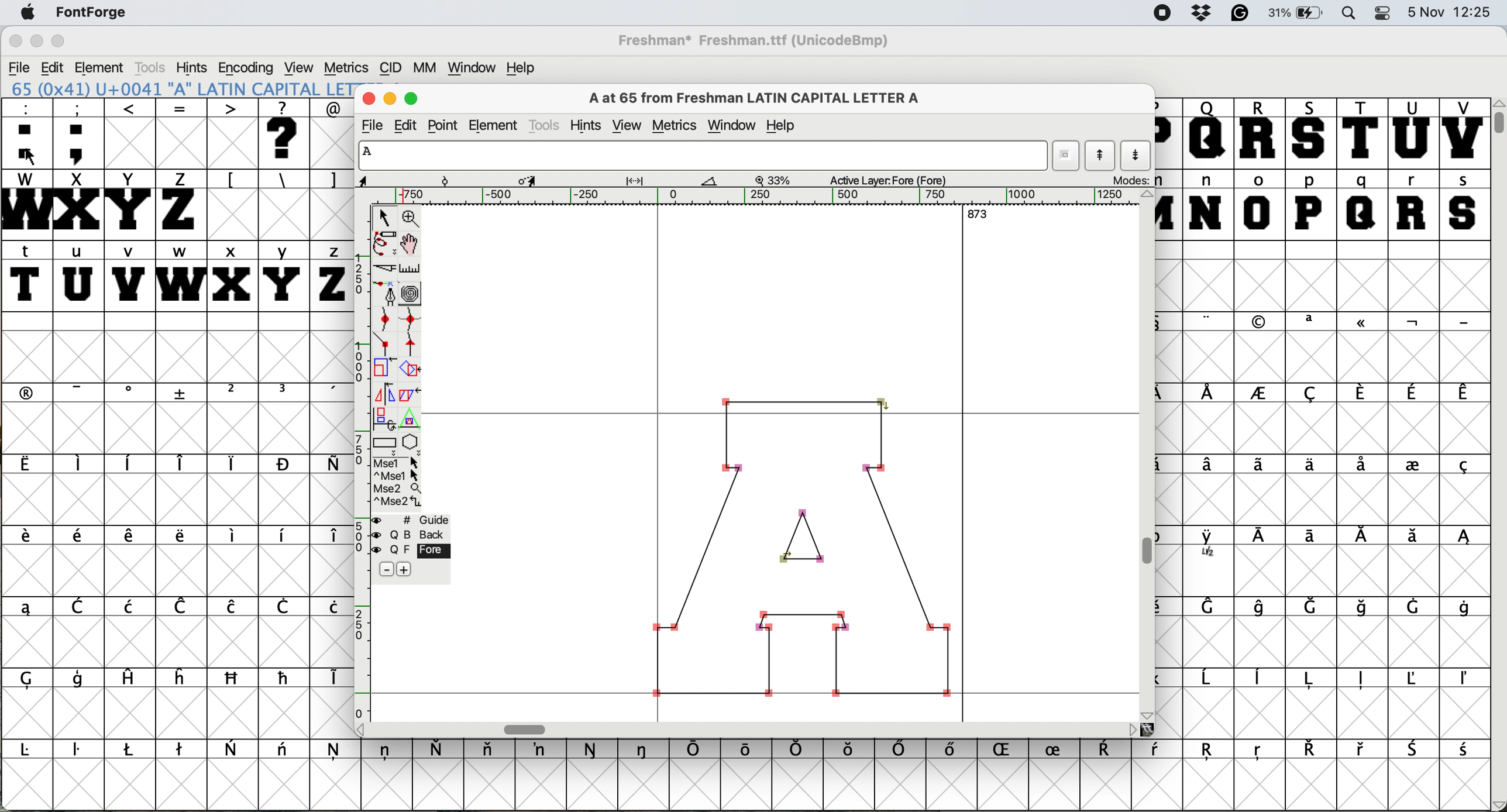 Image resolution: width=1507 pixels, height=812 pixels. What do you see at coordinates (1464, 394) in the screenshot?
I see `symbol` at bounding box center [1464, 394].